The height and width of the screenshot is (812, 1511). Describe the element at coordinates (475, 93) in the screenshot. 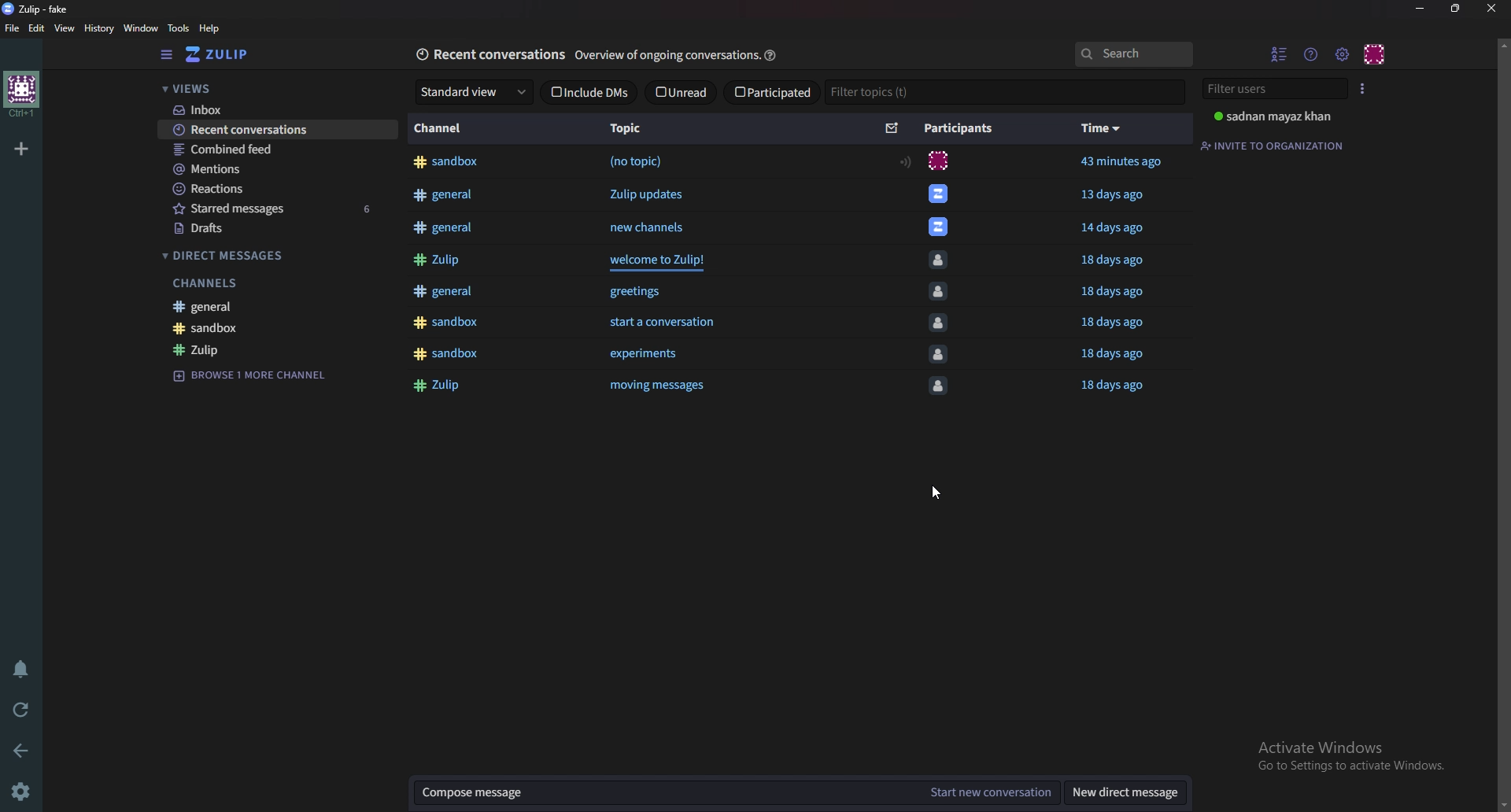

I see `standard view` at that location.